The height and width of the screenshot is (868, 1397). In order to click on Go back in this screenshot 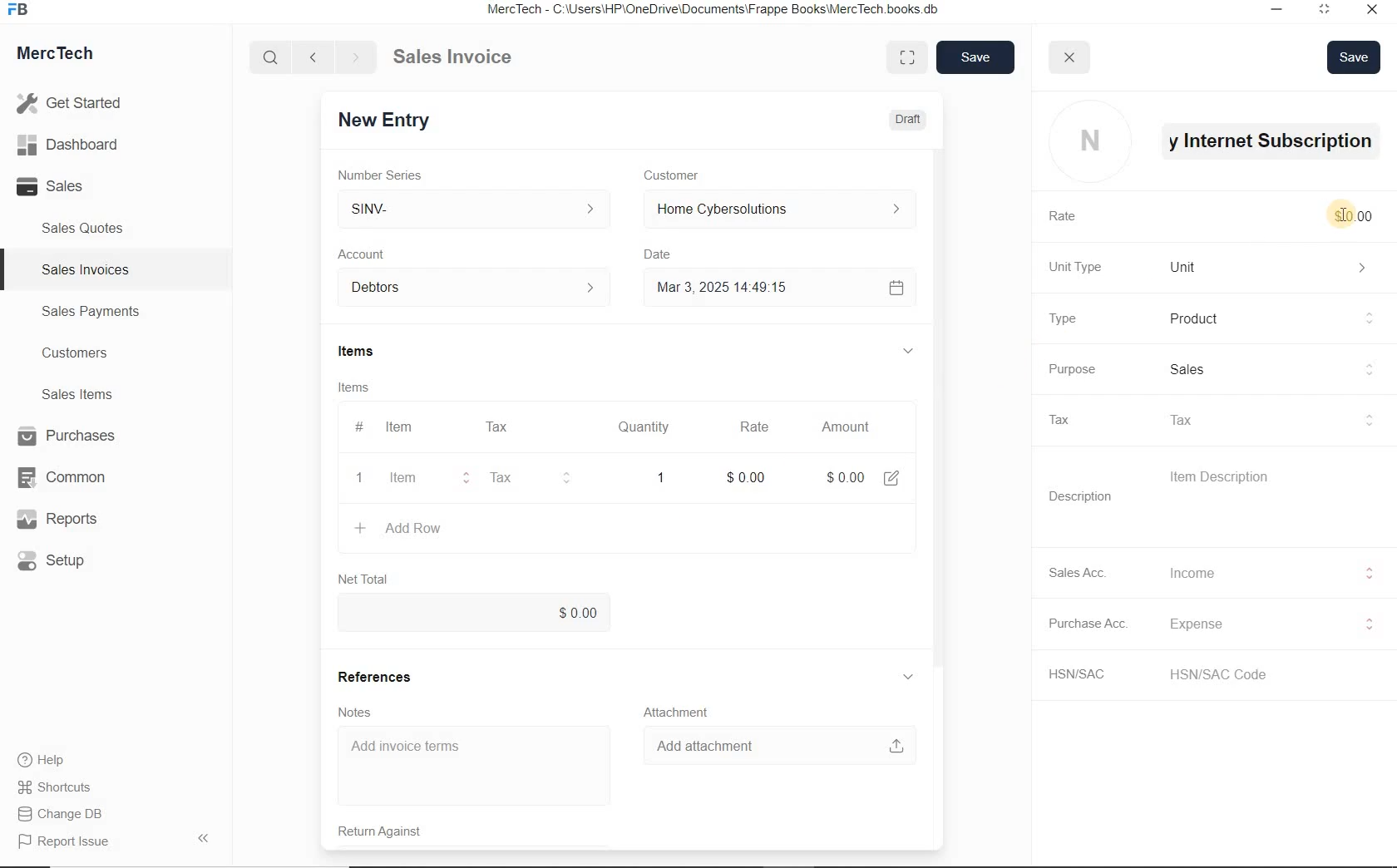, I will do `click(315, 57)`.